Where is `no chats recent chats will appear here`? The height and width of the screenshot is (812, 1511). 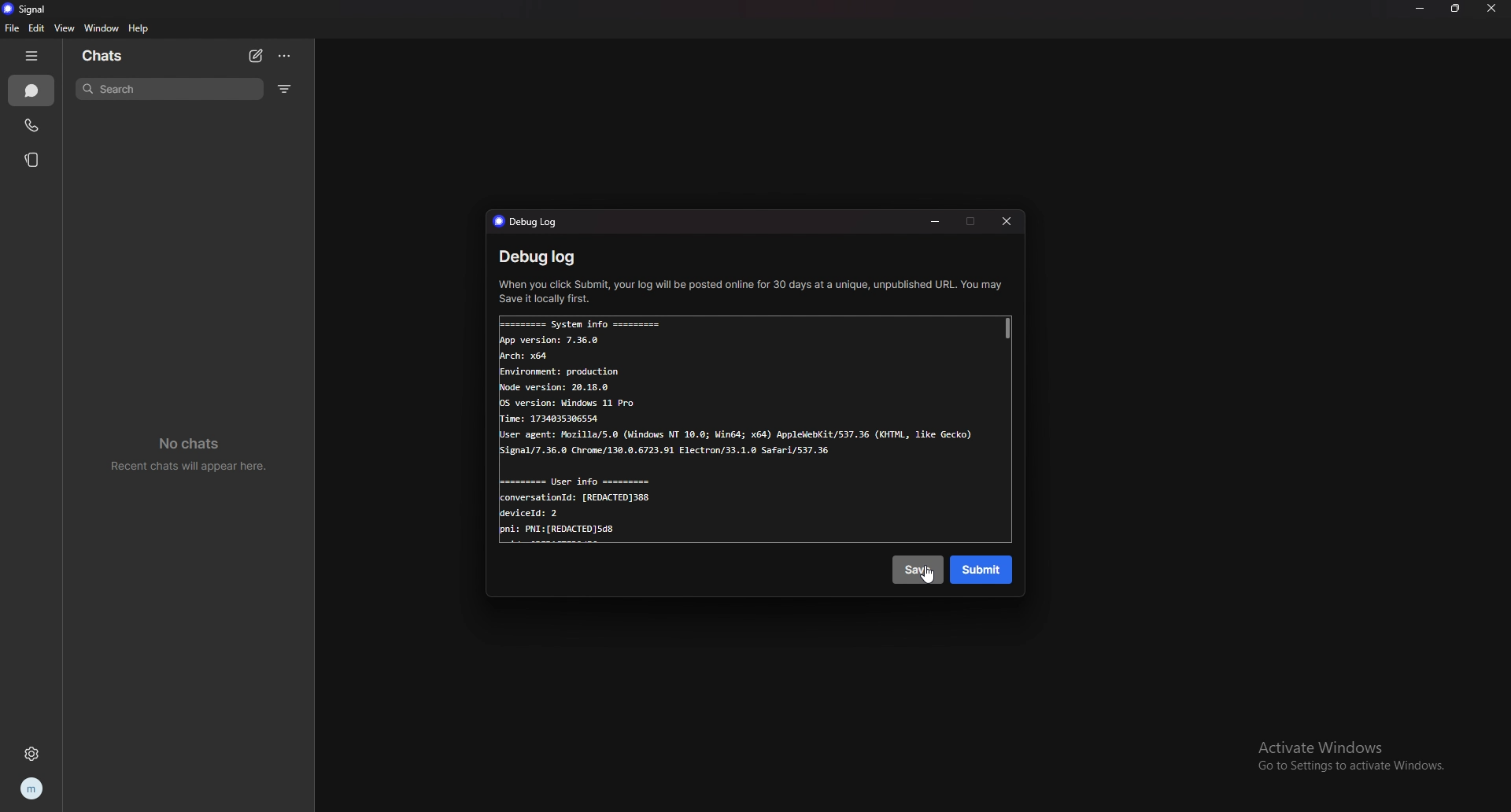 no chats recent chats will appear here is located at coordinates (194, 456).